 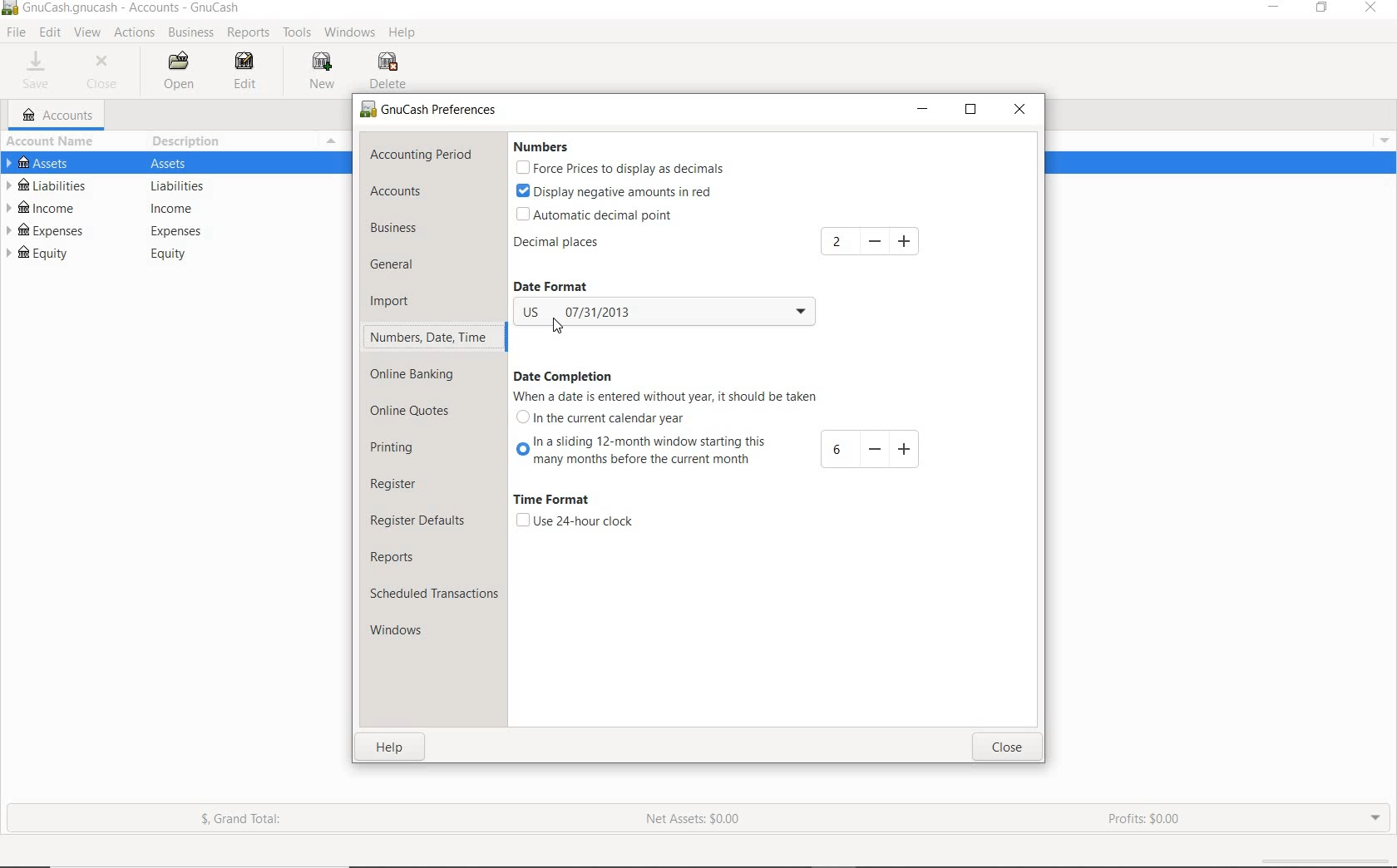 What do you see at coordinates (391, 72) in the screenshot?
I see `DELETE` at bounding box center [391, 72].